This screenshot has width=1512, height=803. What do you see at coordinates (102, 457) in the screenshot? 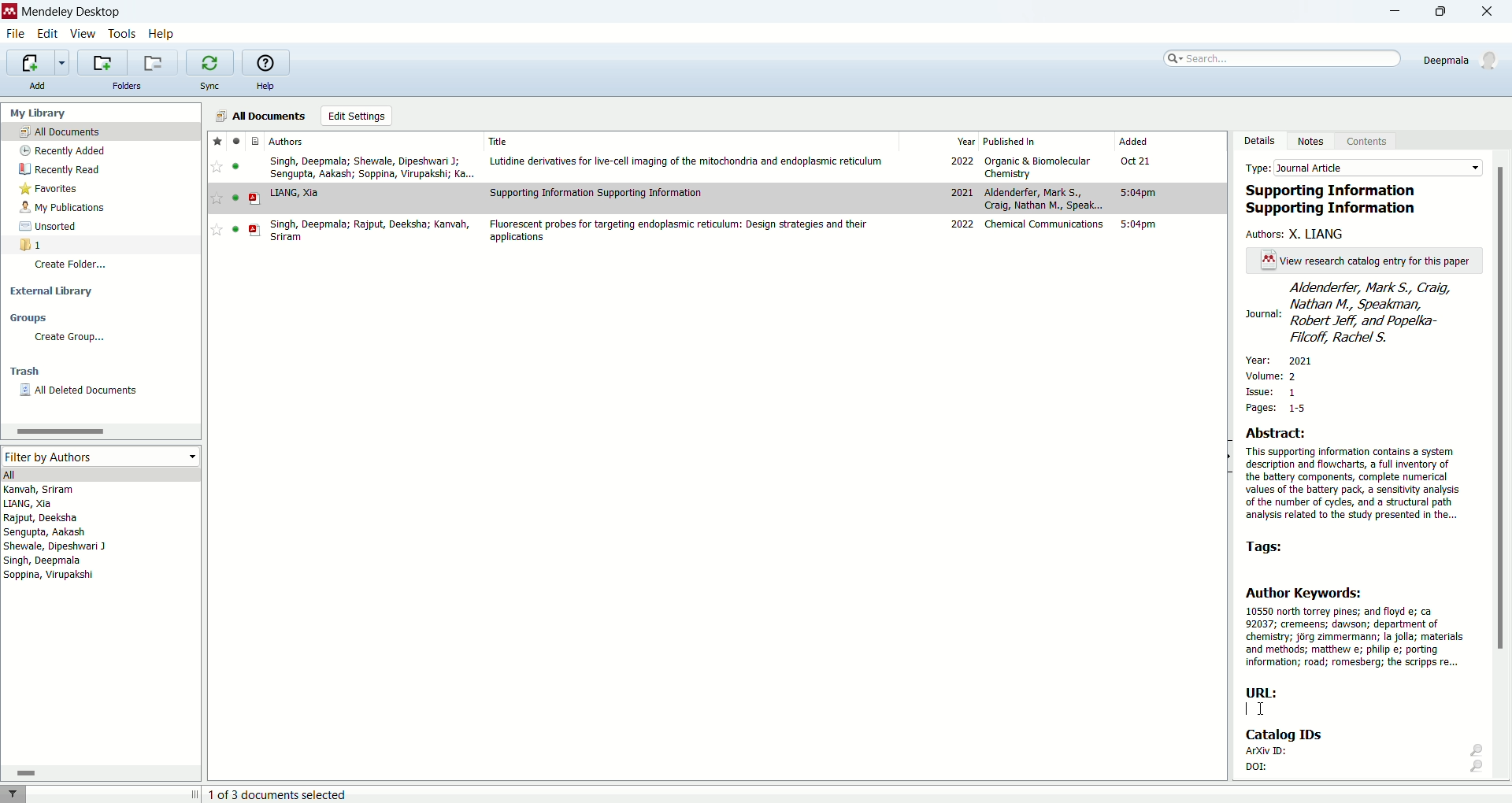
I see `filter by authors` at bounding box center [102, 457].